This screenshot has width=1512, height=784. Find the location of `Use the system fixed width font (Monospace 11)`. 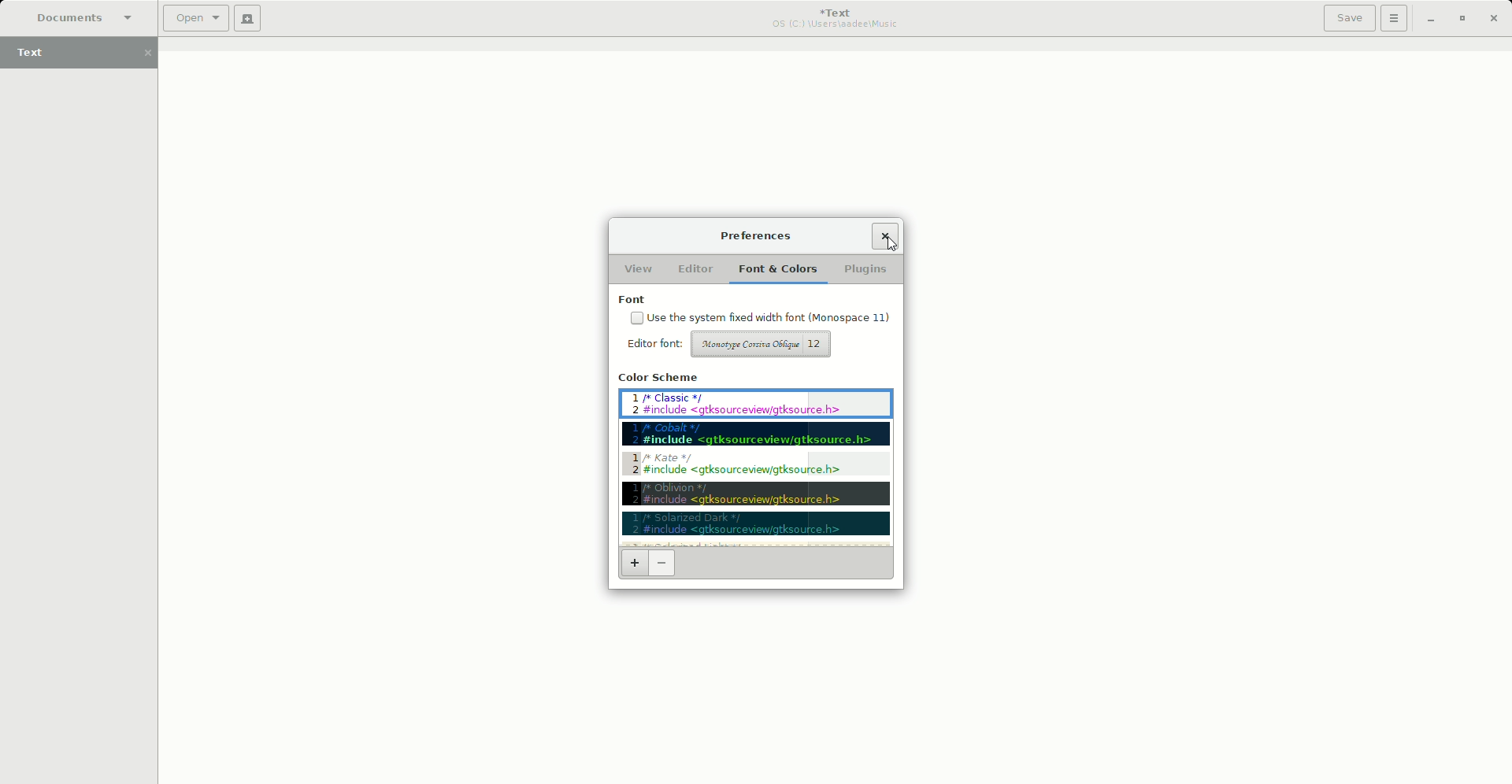

Use the system fixed width font (Monospace 11) is located at coordinates (760, 317).